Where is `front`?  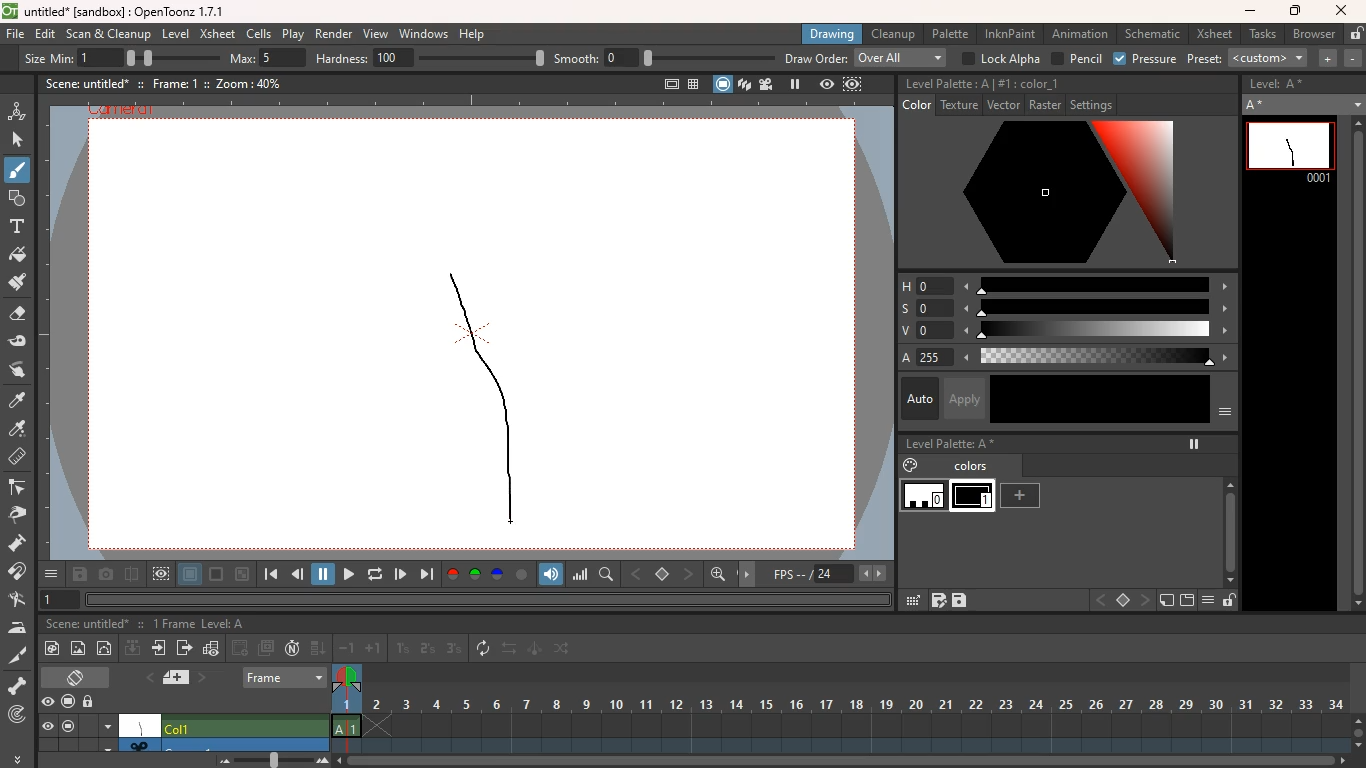
front is located at coordinates (1147, 600).